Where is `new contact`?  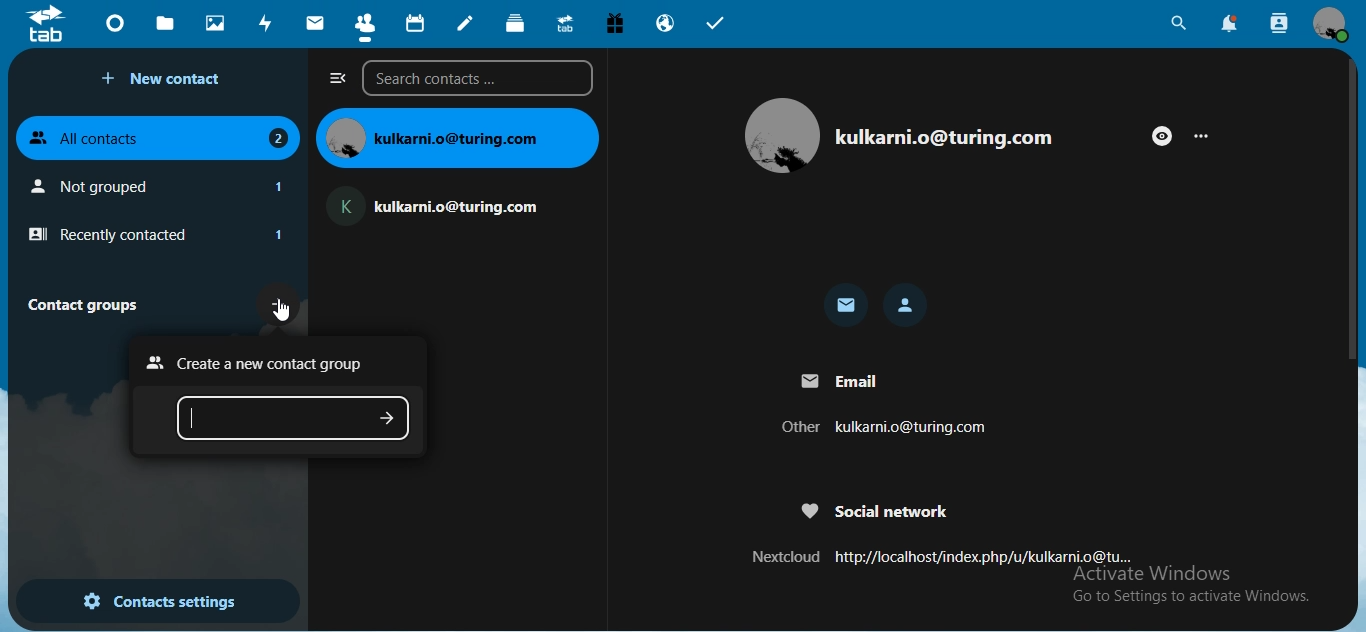 new contact is located at coordinates (166, 79).